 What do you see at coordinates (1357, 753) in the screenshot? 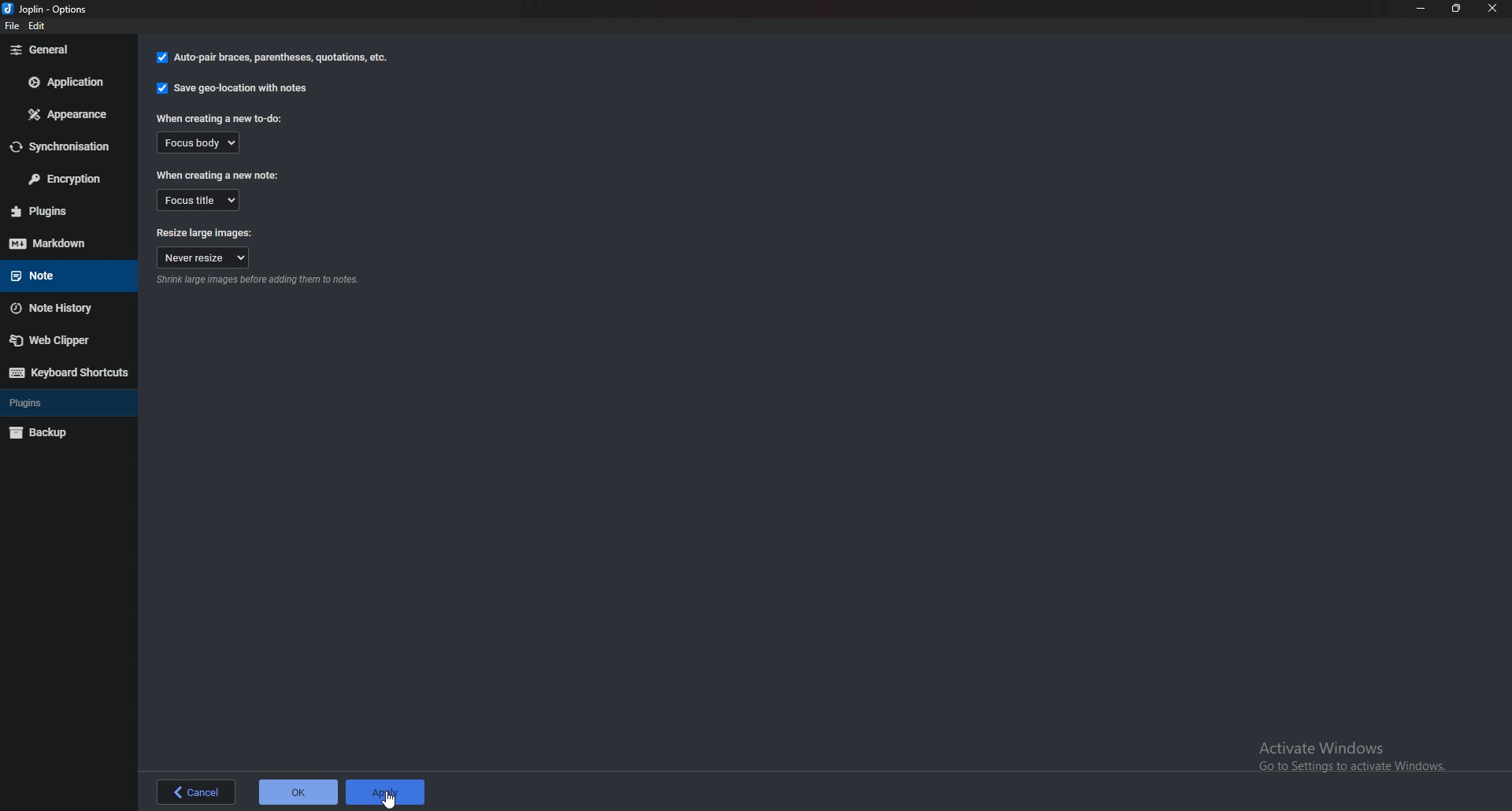
I see `Activate windows pop up` at bounding box center [1357, 753].